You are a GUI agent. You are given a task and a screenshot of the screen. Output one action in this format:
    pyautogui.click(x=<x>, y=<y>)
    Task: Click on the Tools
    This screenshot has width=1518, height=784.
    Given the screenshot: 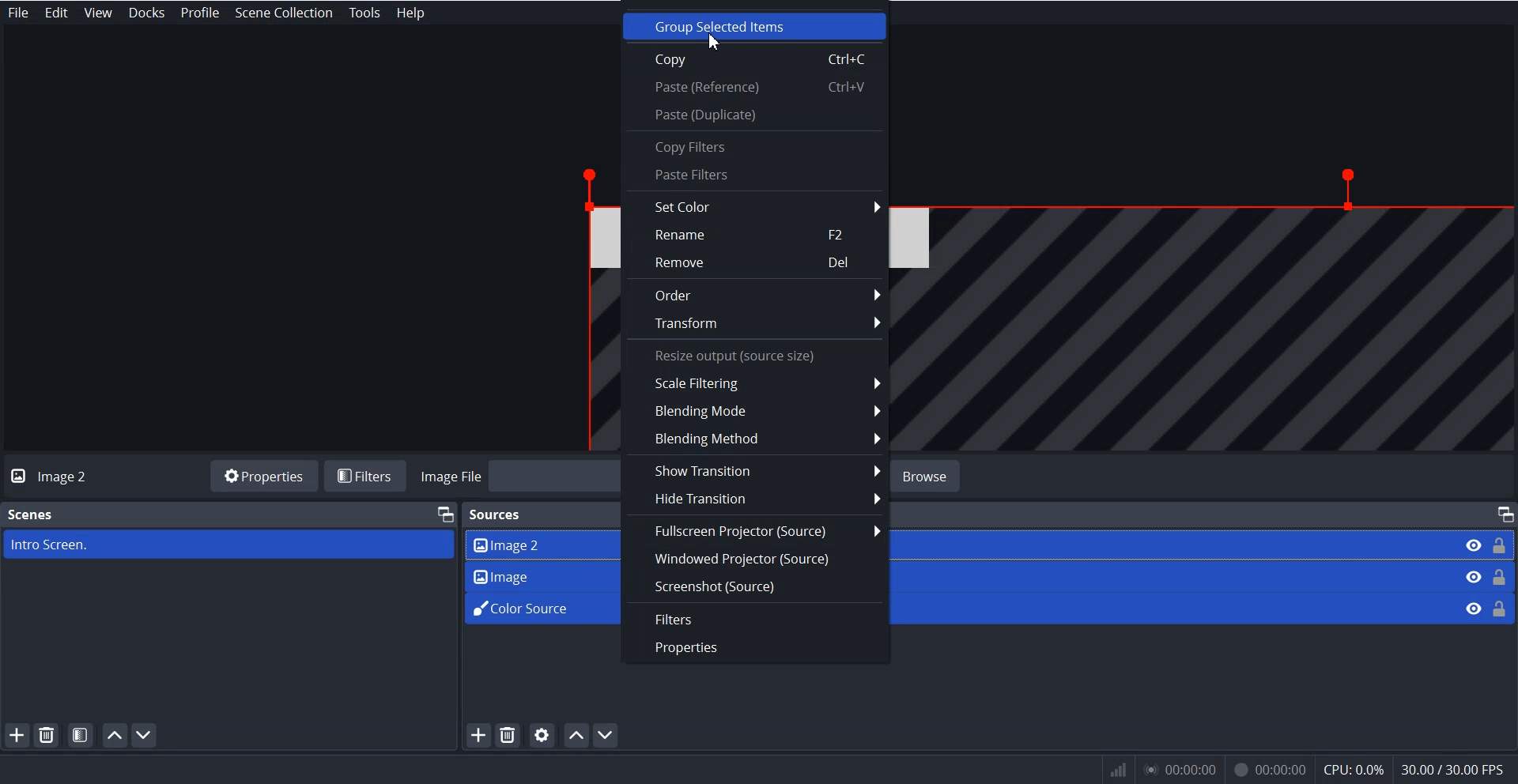 What is the action you would take?
    pyautogui.click(x=365, y=13)
    